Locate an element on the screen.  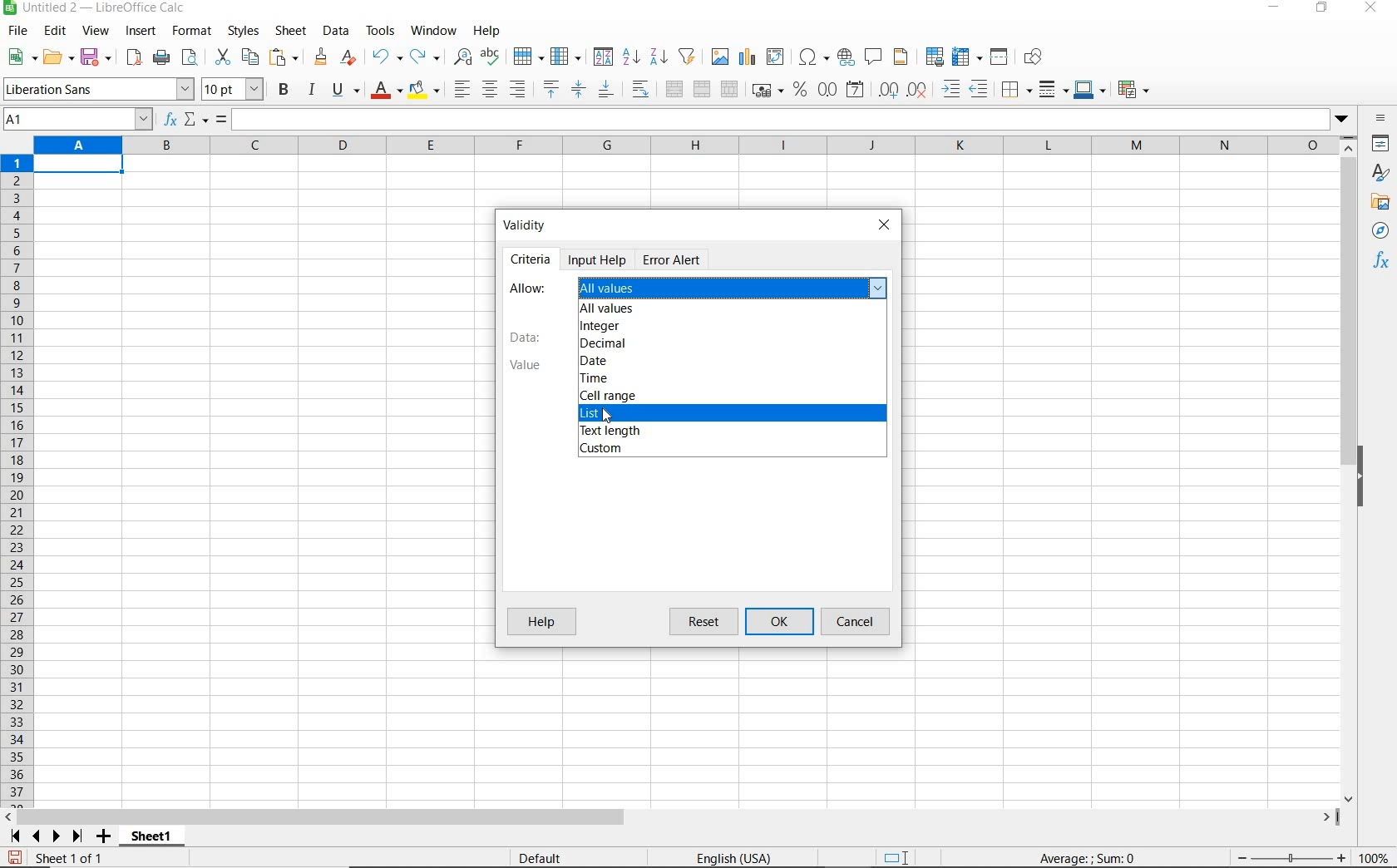
sheet 1 of 1 is located at coordinates (75, 859).